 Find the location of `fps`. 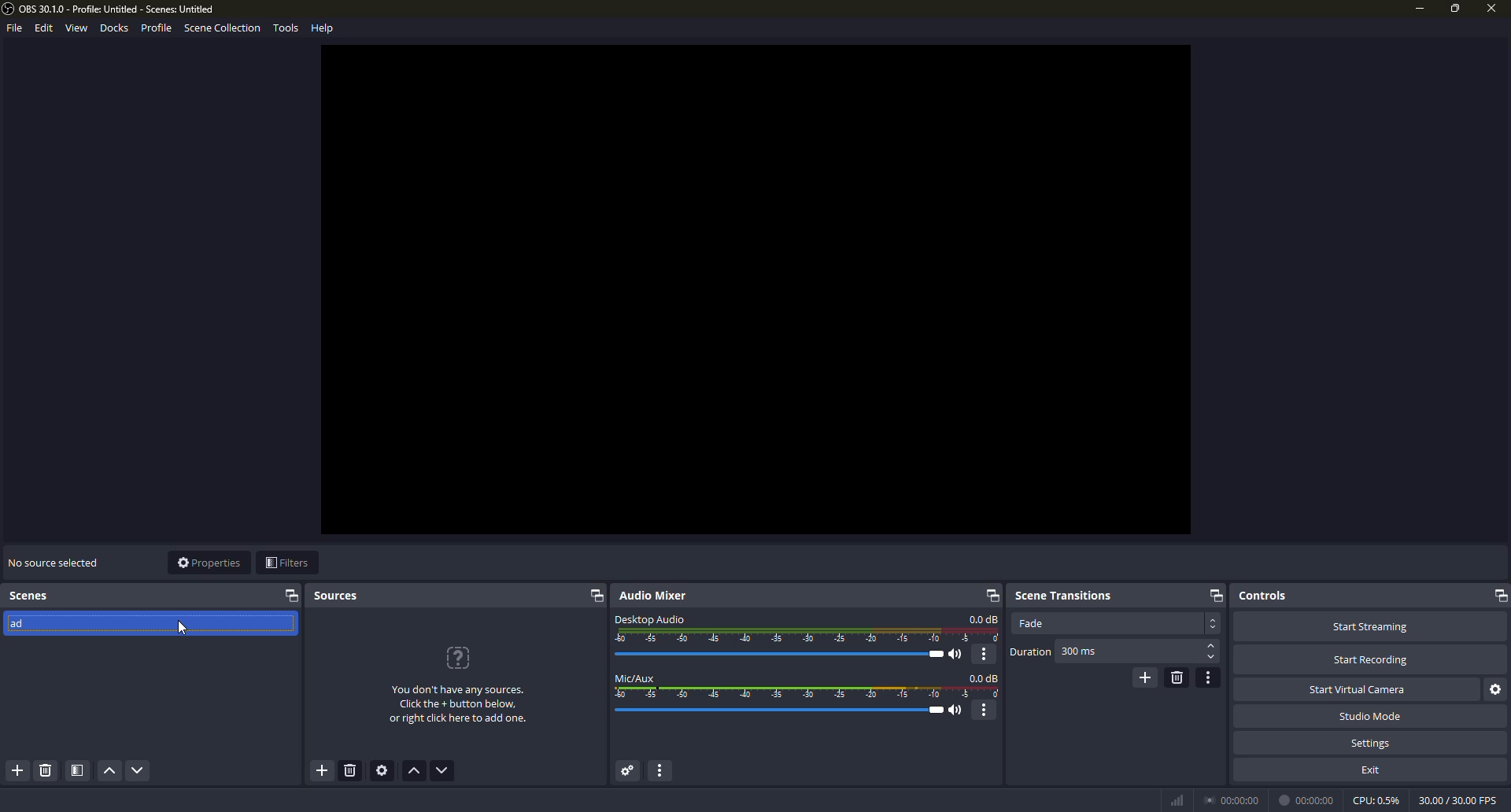

fps is located at coordinates (1456, 799).